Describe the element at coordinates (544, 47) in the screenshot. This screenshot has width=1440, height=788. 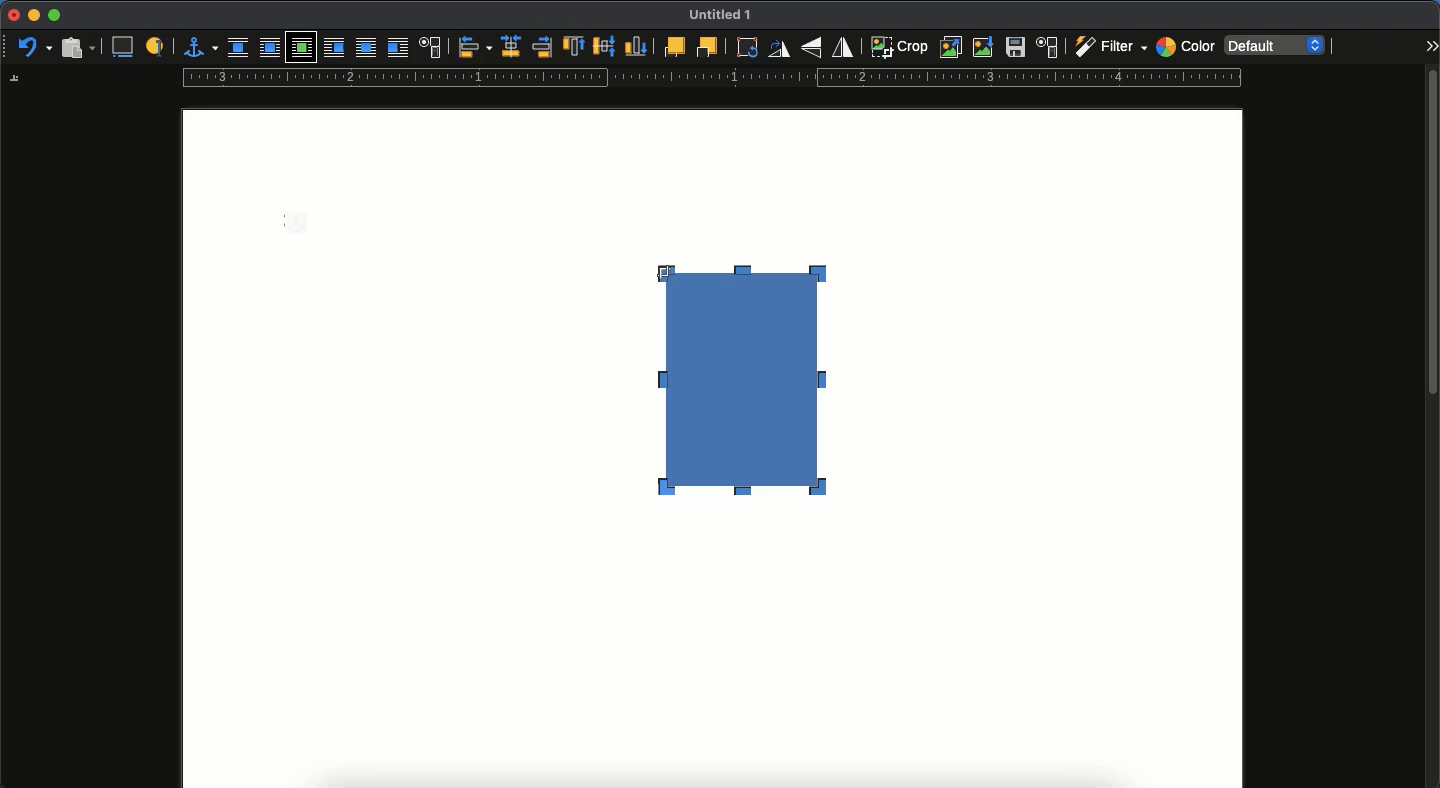
I see `right` at that location.